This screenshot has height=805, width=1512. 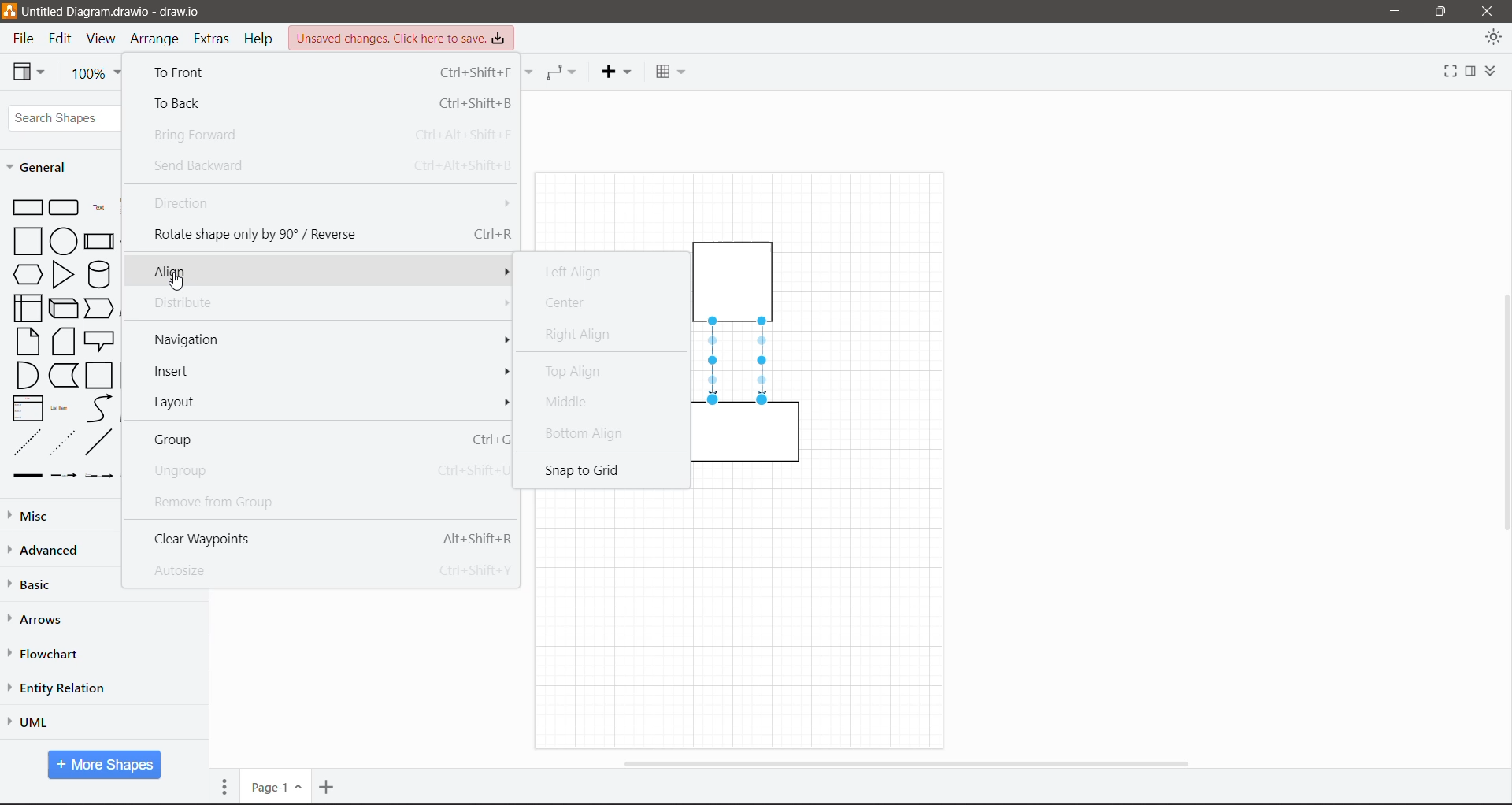 I want to click on Unsaved Changes. Click here to save, so click(x=402, y=38).